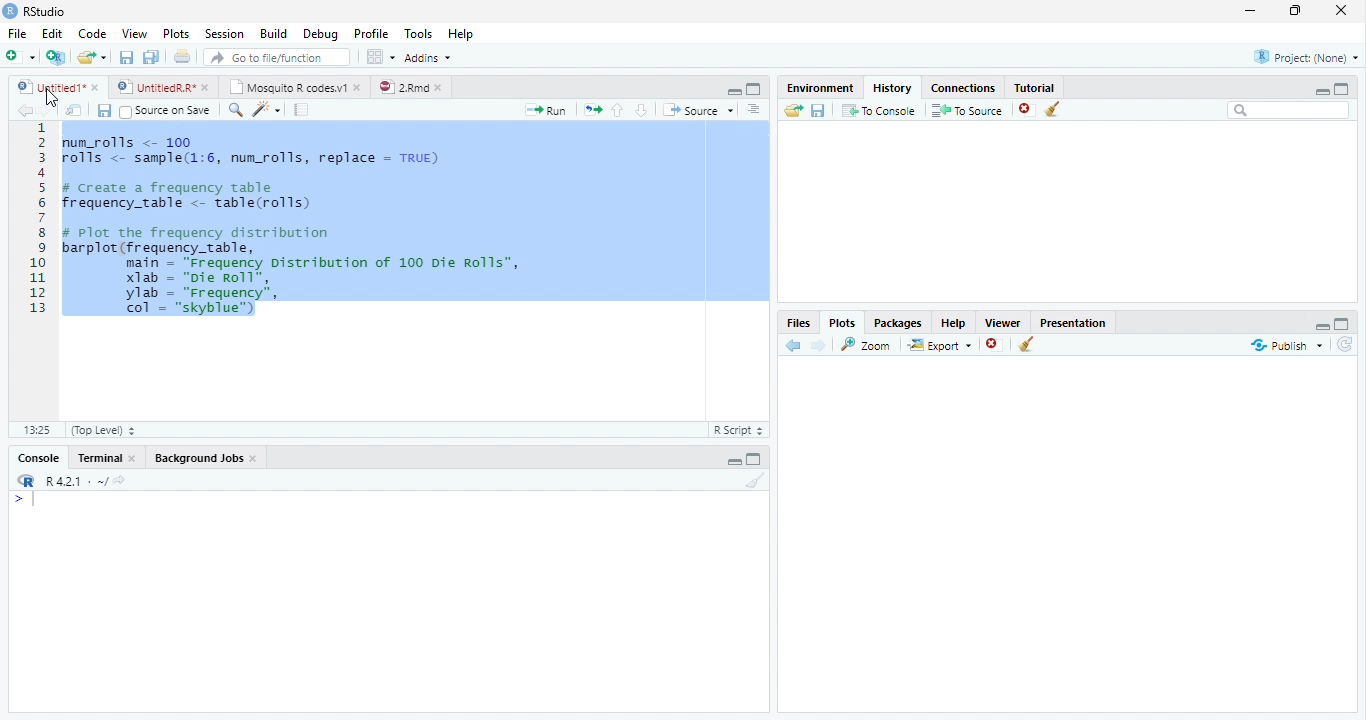  What do you see at coordinates (1344, 345) in the screenshot?
I see `Refresh List` at bounding box center [1344, 345].